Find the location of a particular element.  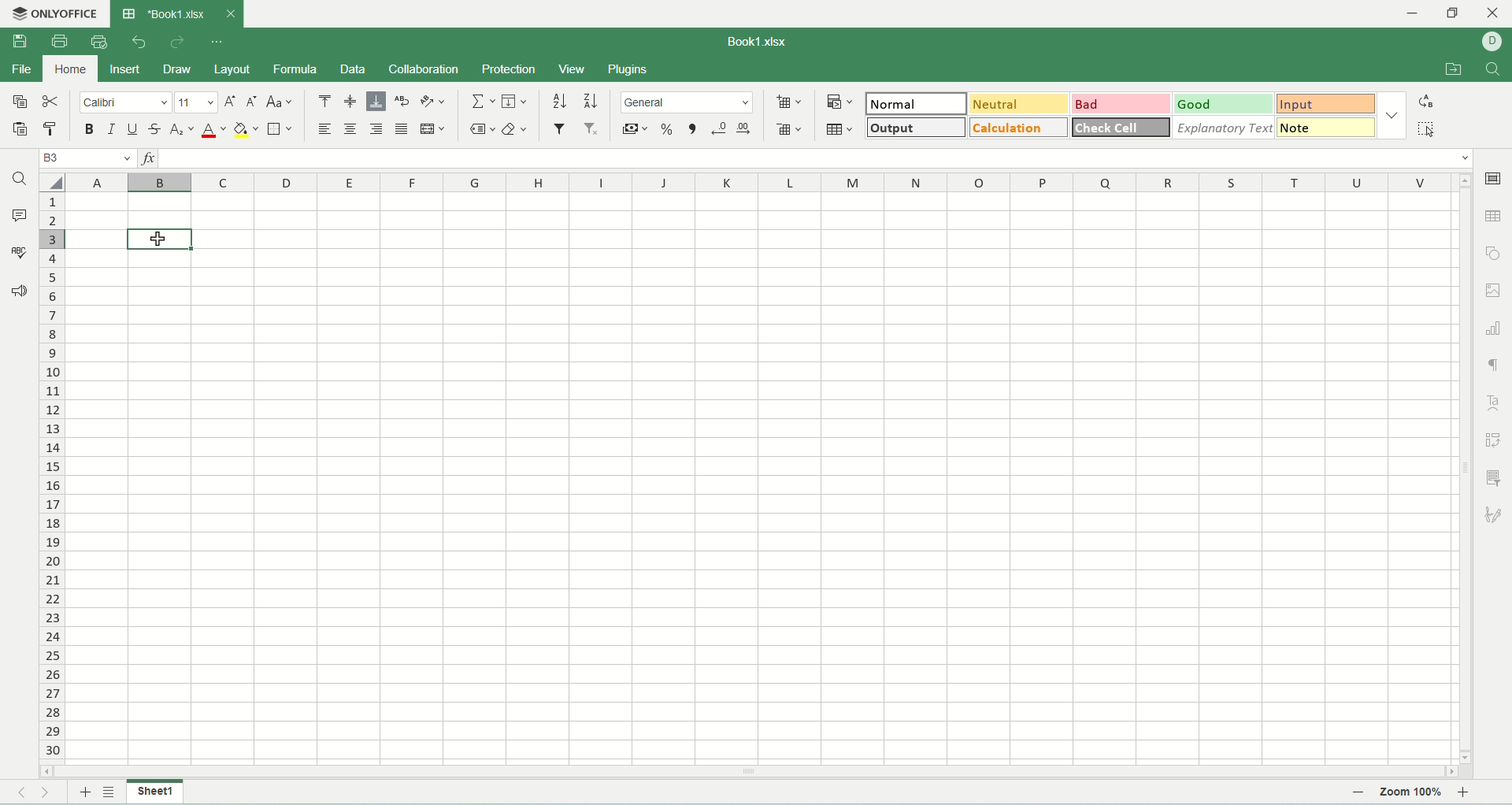

layout is located at coordinates (232, 71).